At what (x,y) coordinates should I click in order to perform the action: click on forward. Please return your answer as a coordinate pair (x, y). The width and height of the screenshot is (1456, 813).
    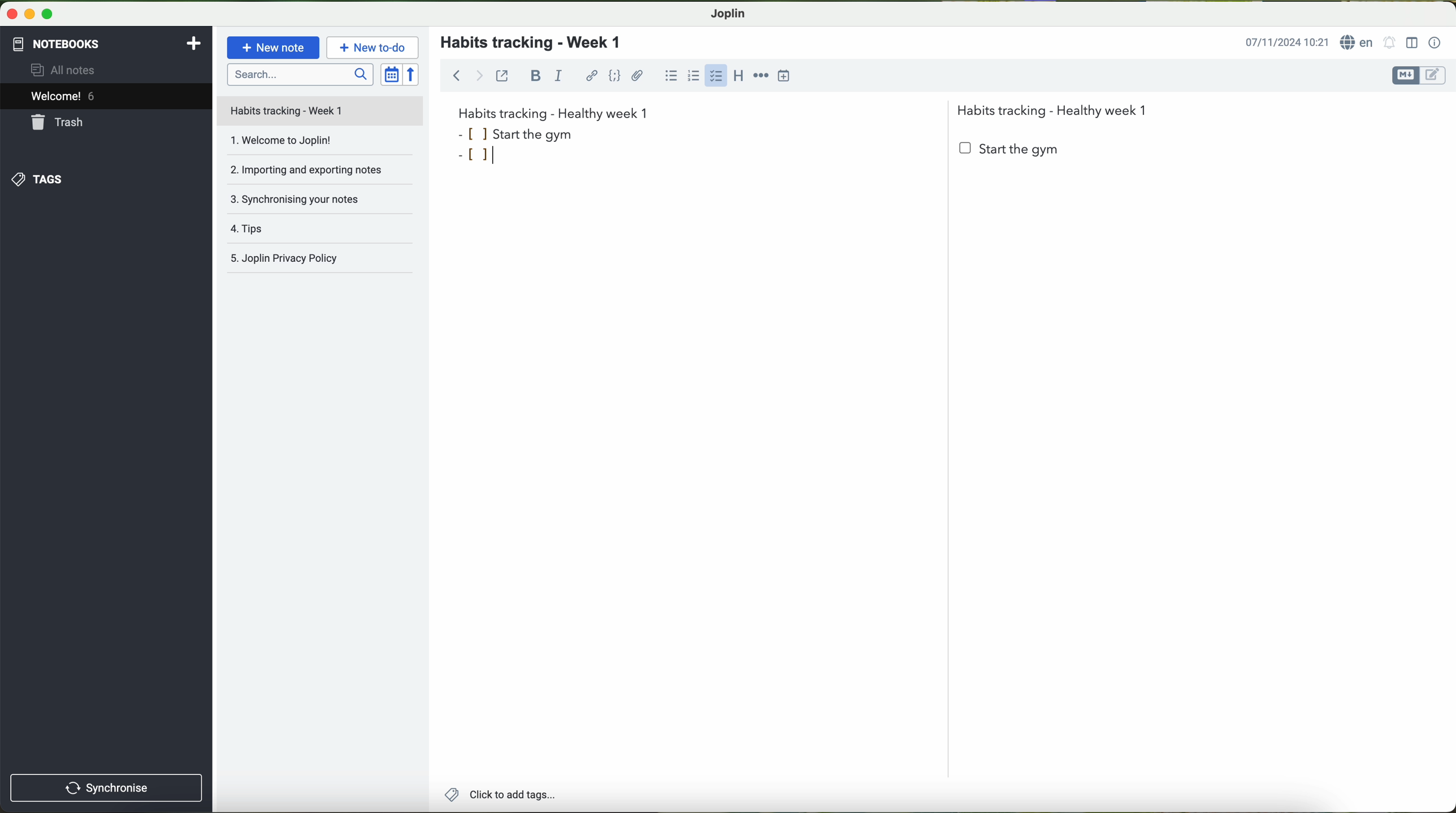
    Looking at the image, I should click on (479, 75).